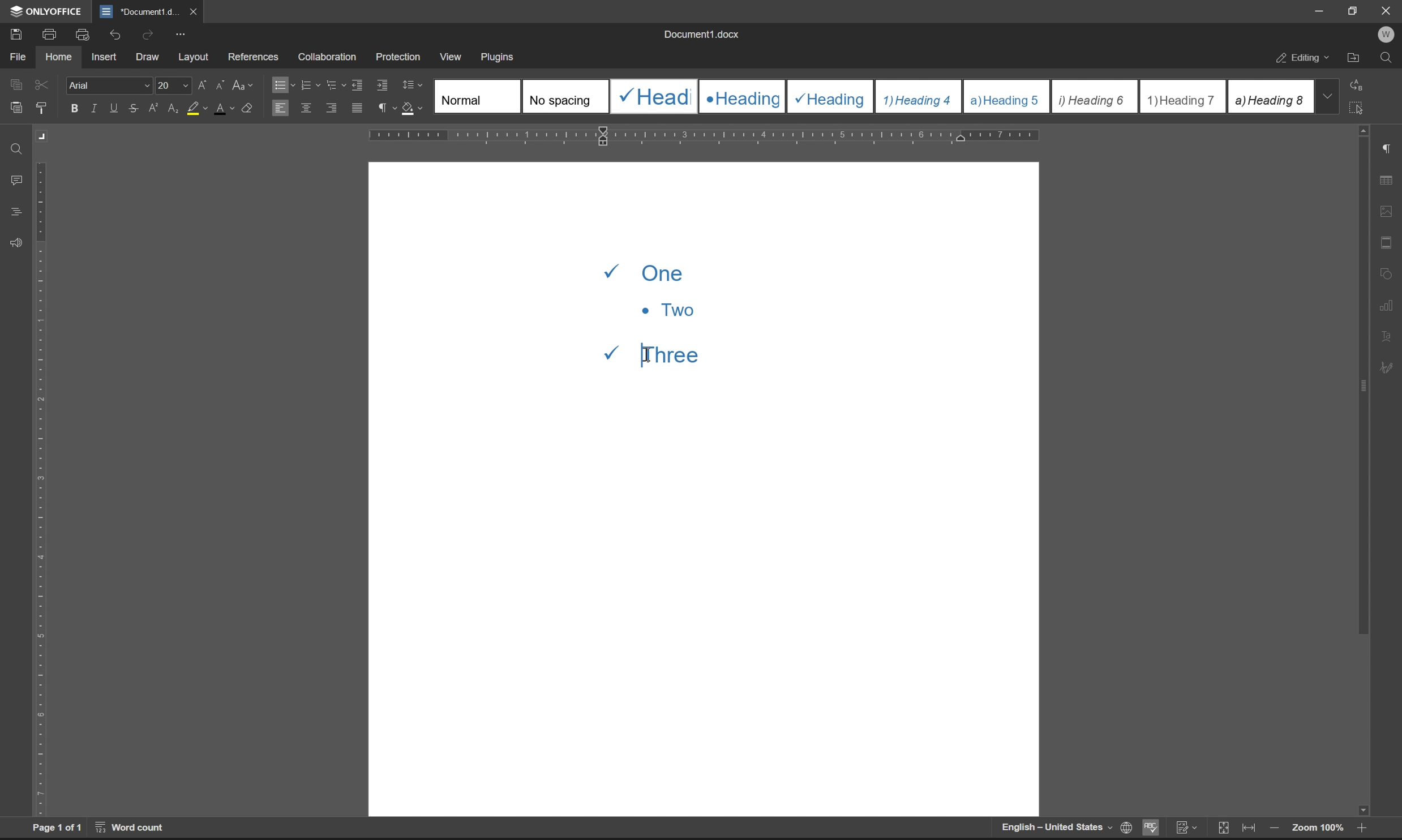  Describe the element at coordinates (1386, 149) in the screenshot. I see `paragraph settings` at that location.